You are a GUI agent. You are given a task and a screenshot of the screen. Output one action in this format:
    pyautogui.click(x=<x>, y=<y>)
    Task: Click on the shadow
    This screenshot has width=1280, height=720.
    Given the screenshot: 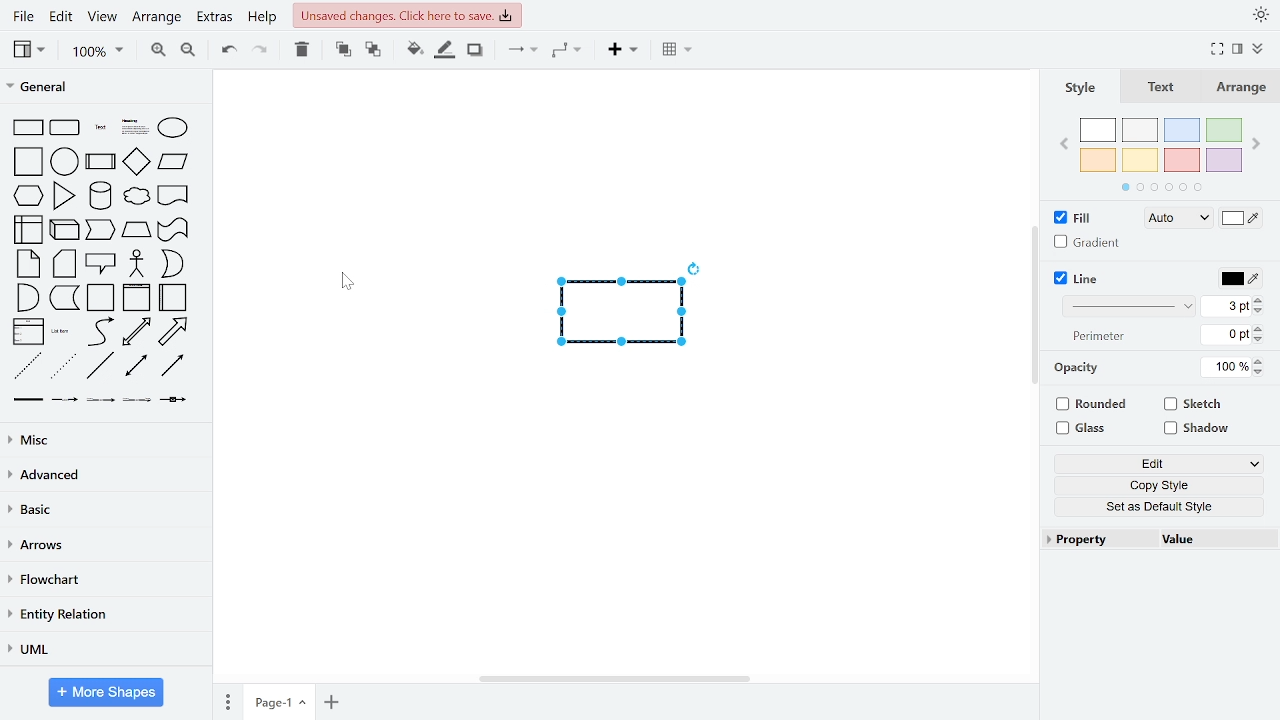 What is the action you would take?
    pyautogui.click(x=1198, y=429)
    